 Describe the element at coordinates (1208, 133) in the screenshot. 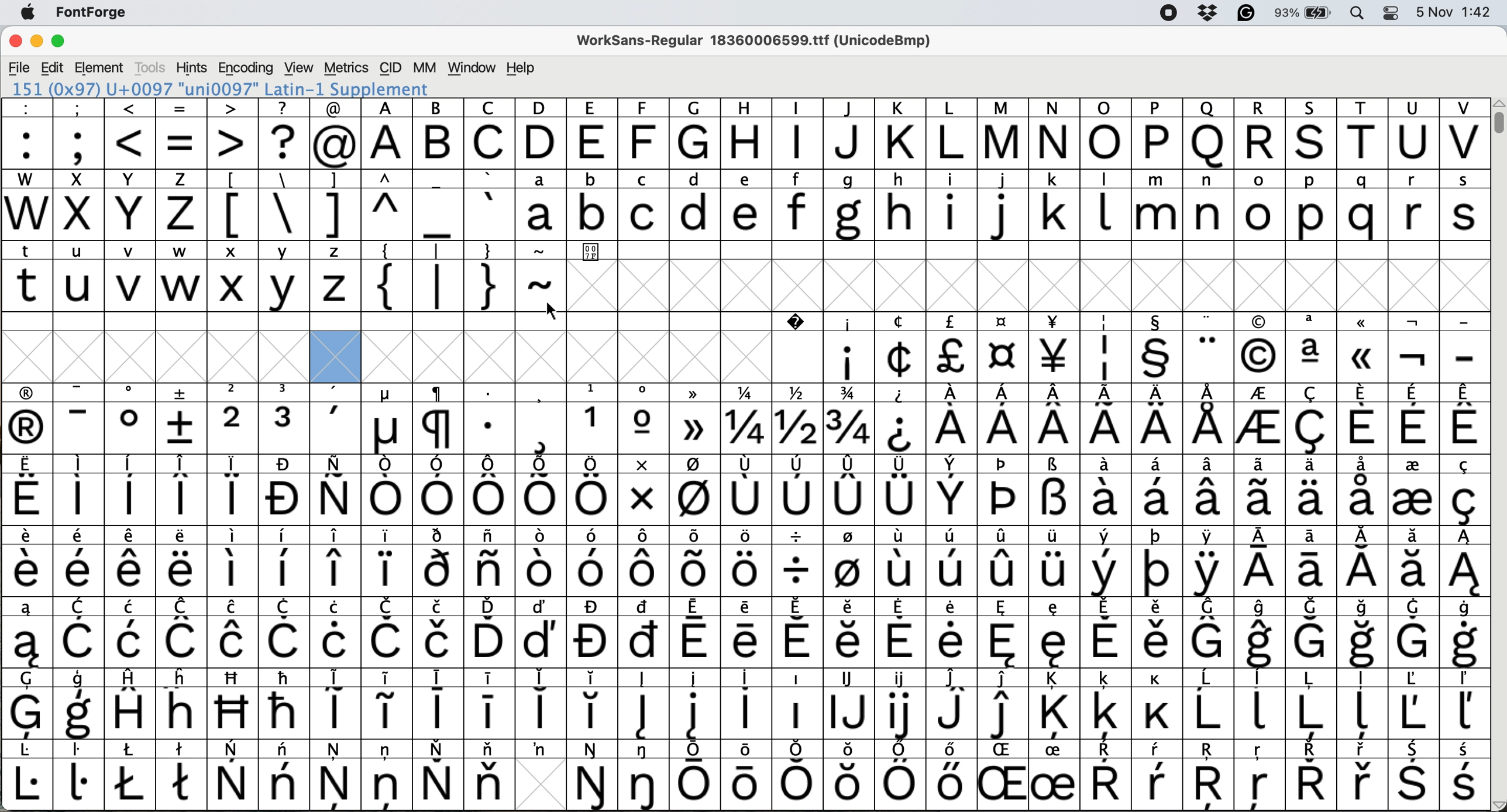

I see `` at that location.